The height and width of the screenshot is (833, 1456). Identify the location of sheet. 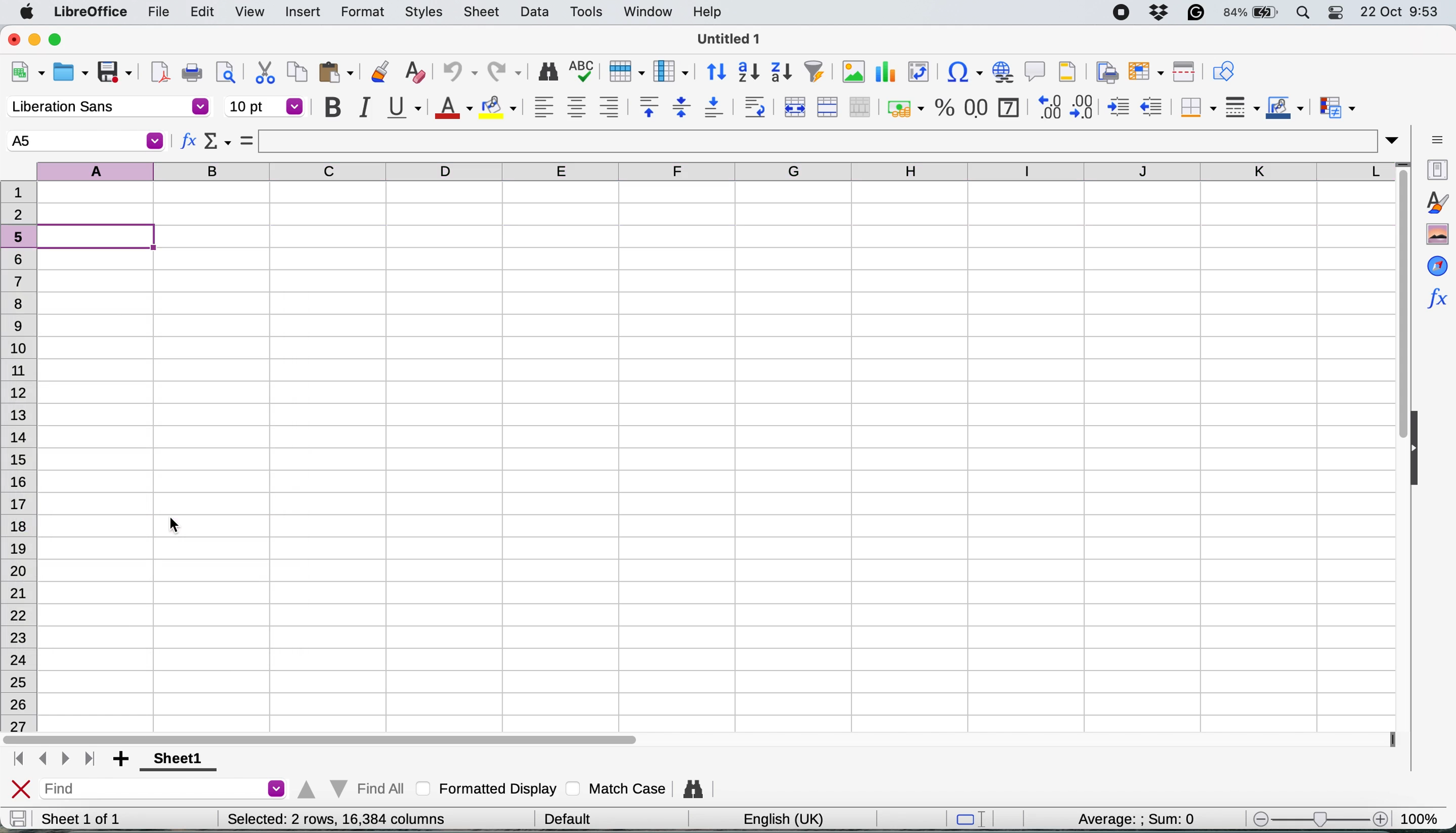
(483, 11).